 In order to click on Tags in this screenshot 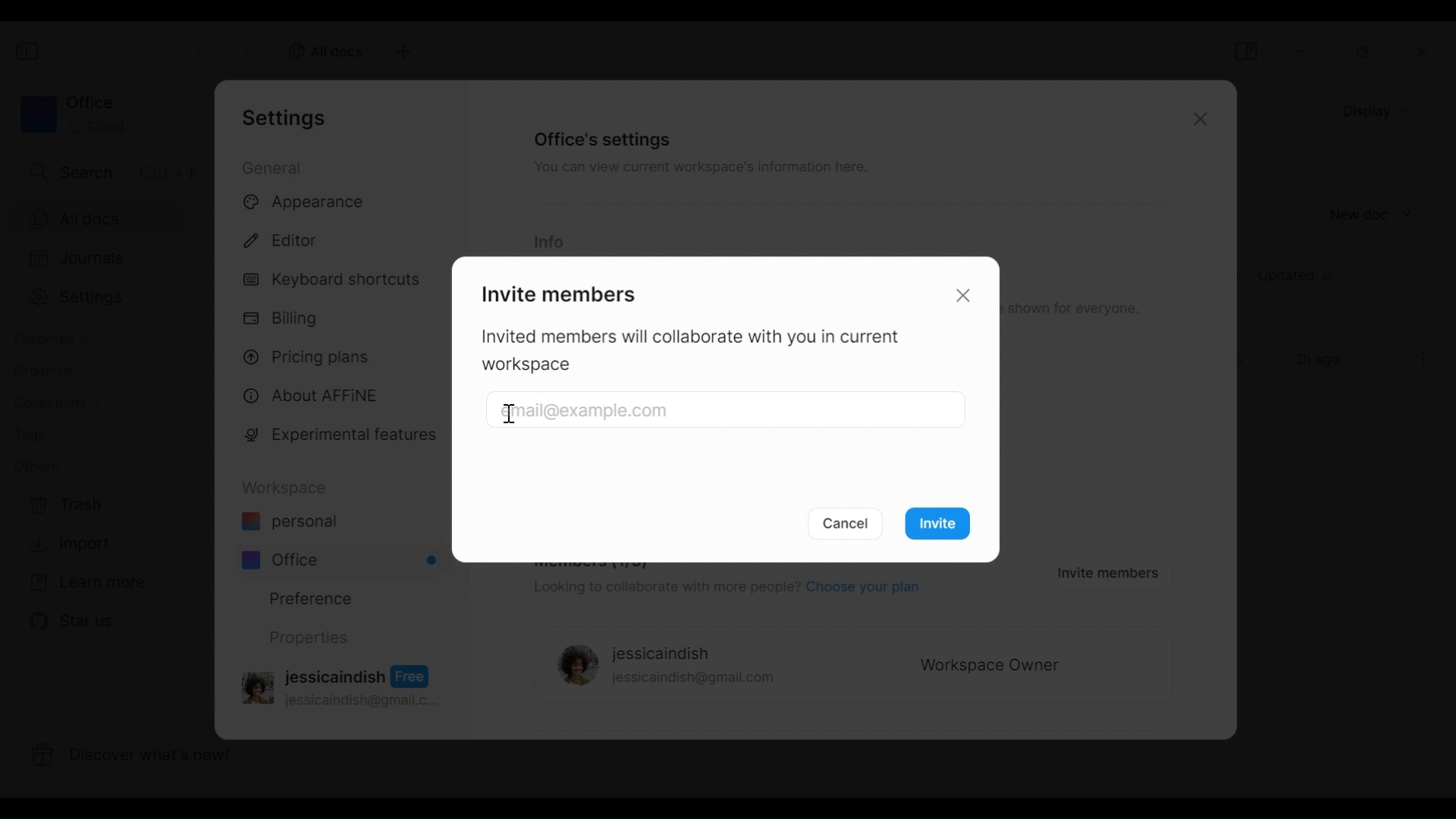, I will do `click(36, 436)`.